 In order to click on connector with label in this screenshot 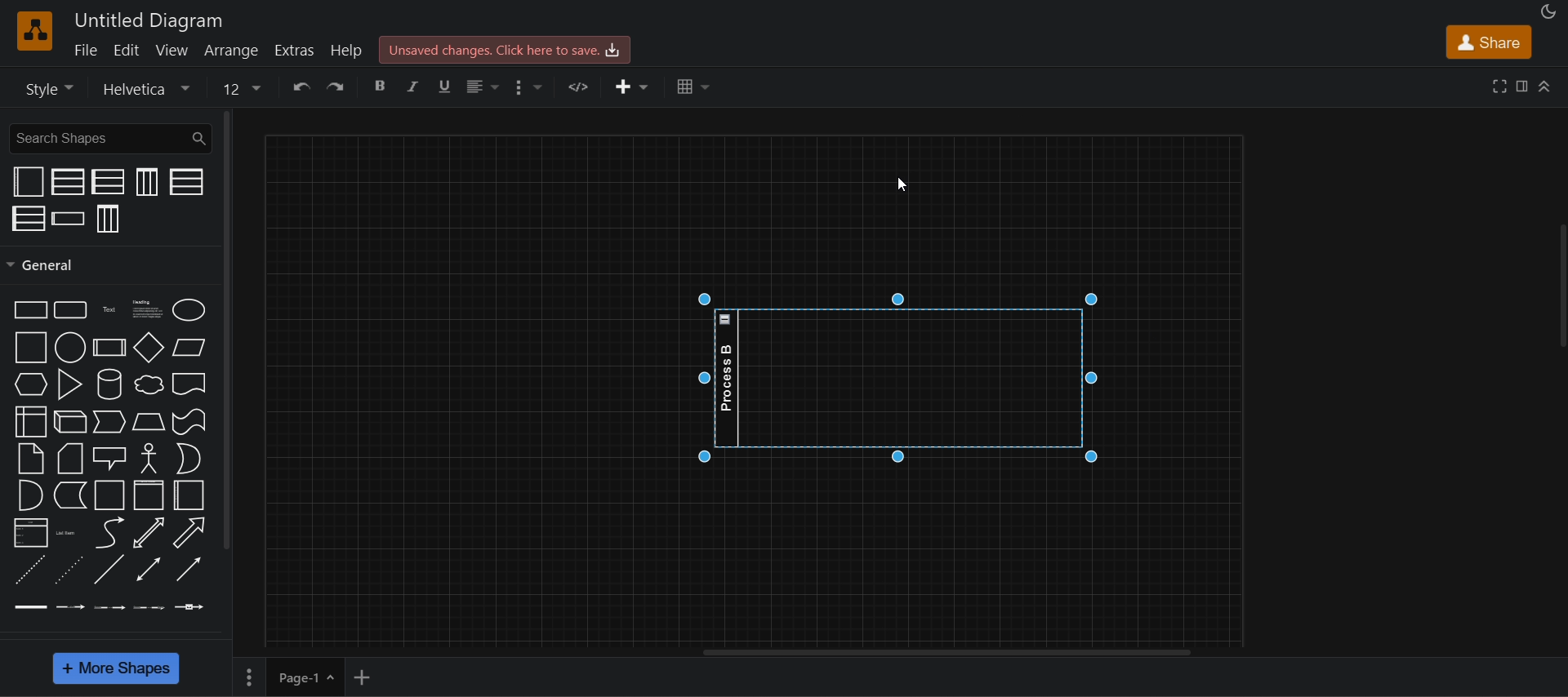, I will do `click(69, 608)`.